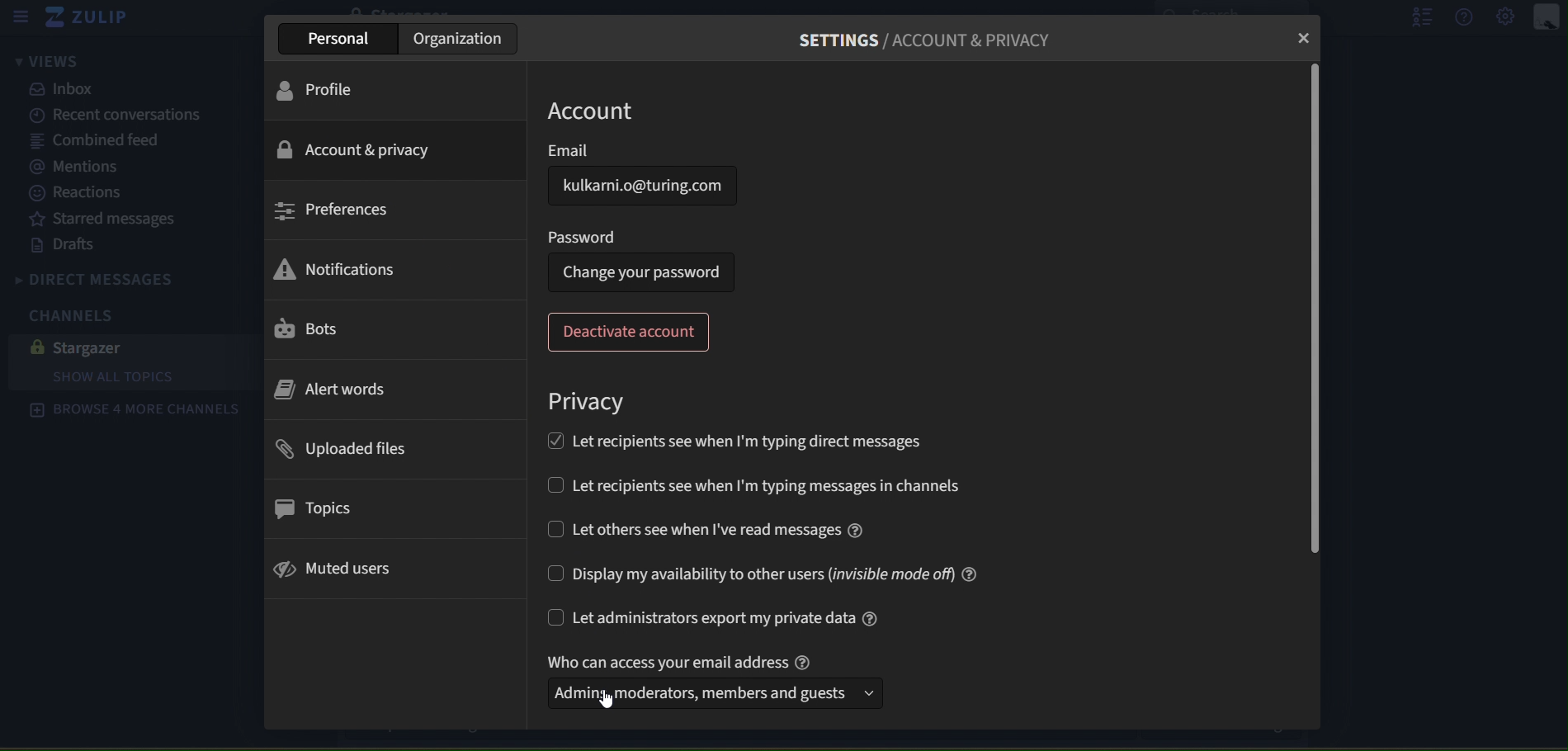  I want to click on let recipients see when I'm typing messages in channels, so click(786, 488).